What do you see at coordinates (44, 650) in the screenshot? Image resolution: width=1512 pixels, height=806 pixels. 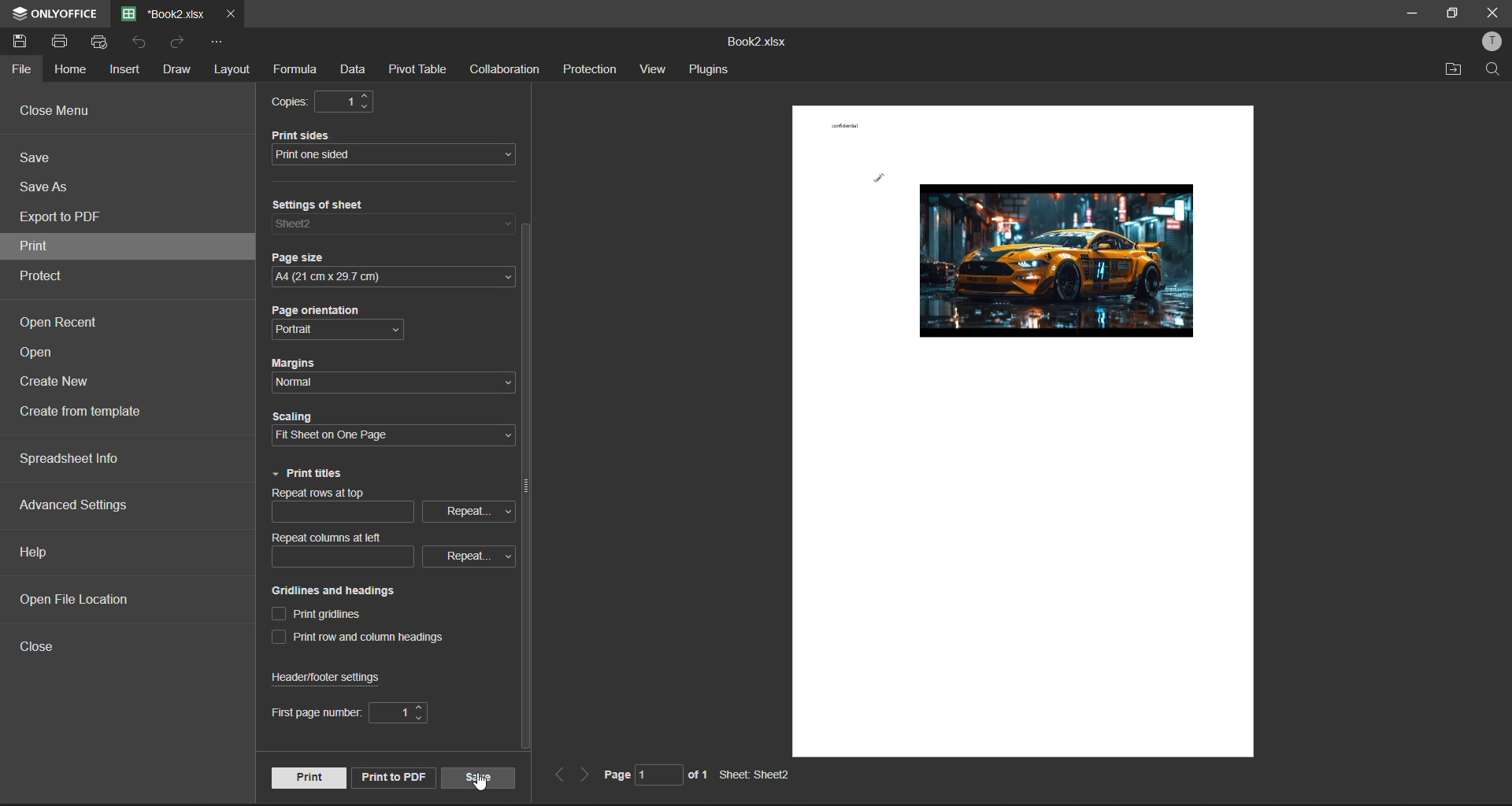 I see `close` at bounding box center [44, 650].